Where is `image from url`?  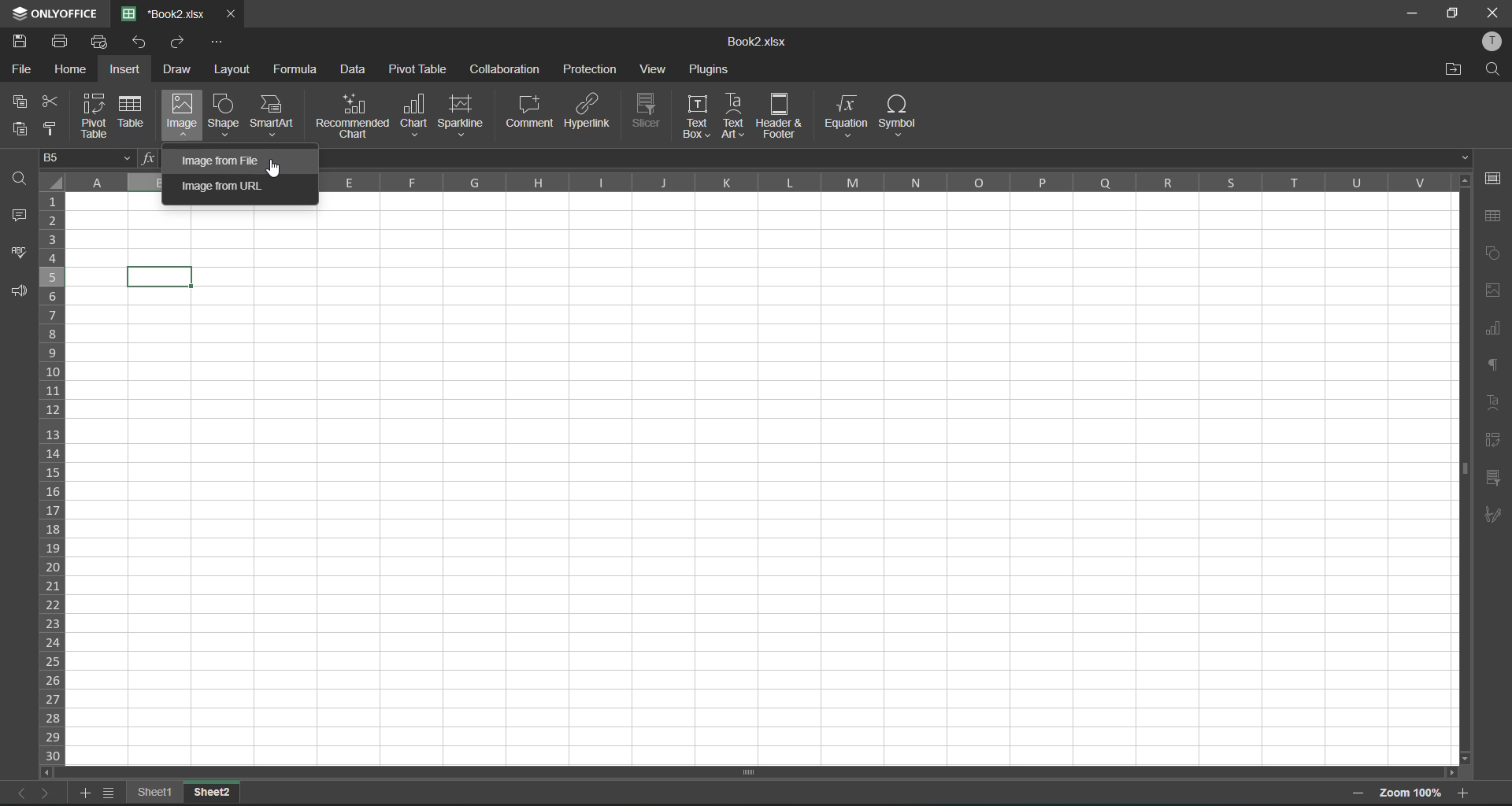 image from url is located at coordinates (228, 187).